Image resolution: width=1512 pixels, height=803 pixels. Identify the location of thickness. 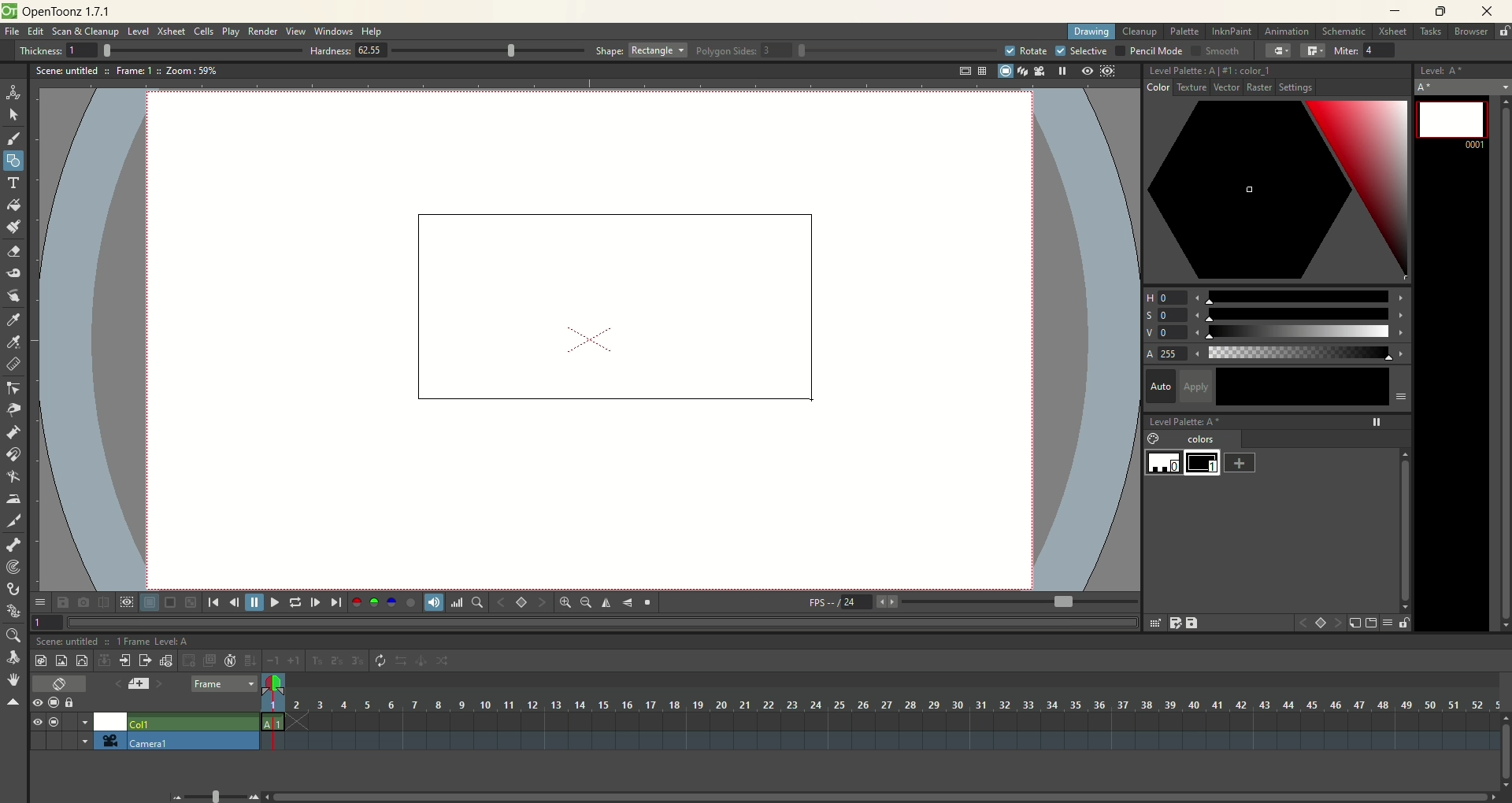
(154, 50).